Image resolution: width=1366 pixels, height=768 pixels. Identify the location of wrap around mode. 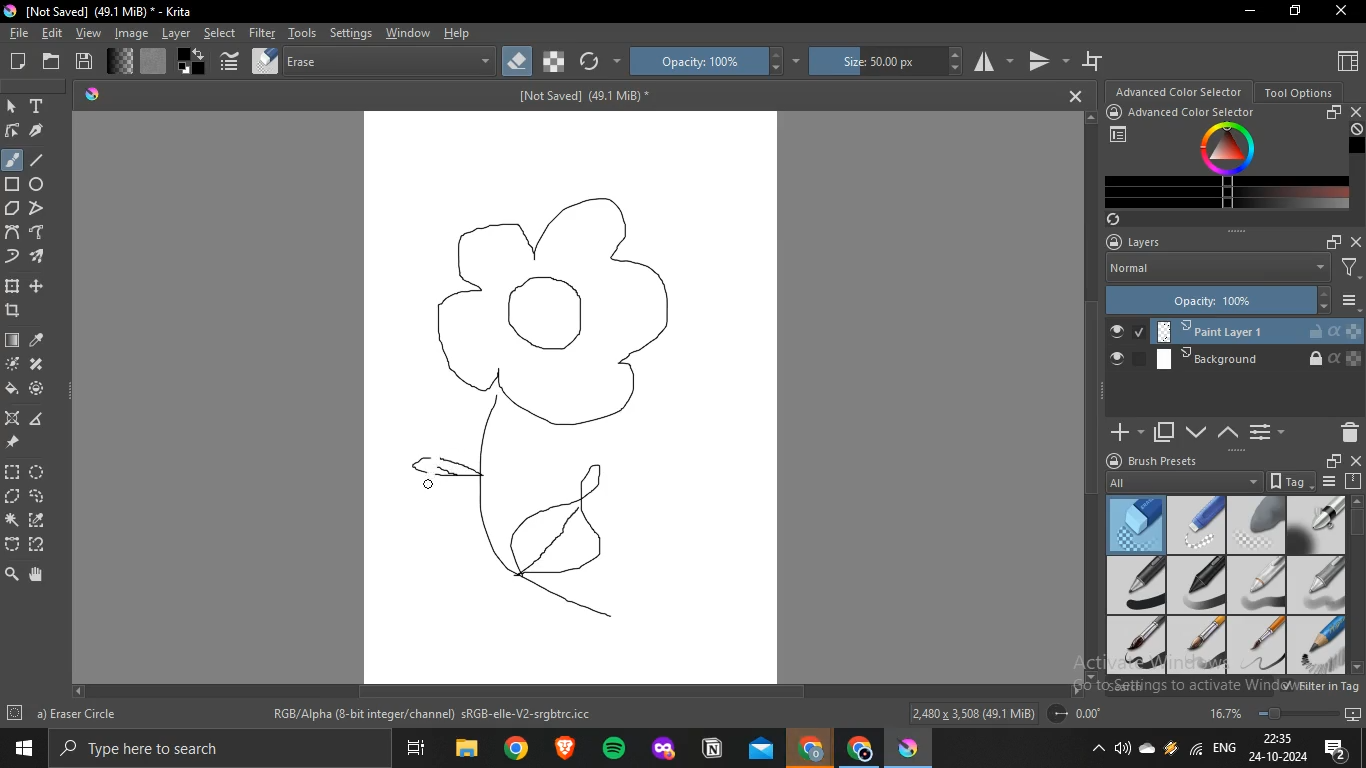
(1095, 60).